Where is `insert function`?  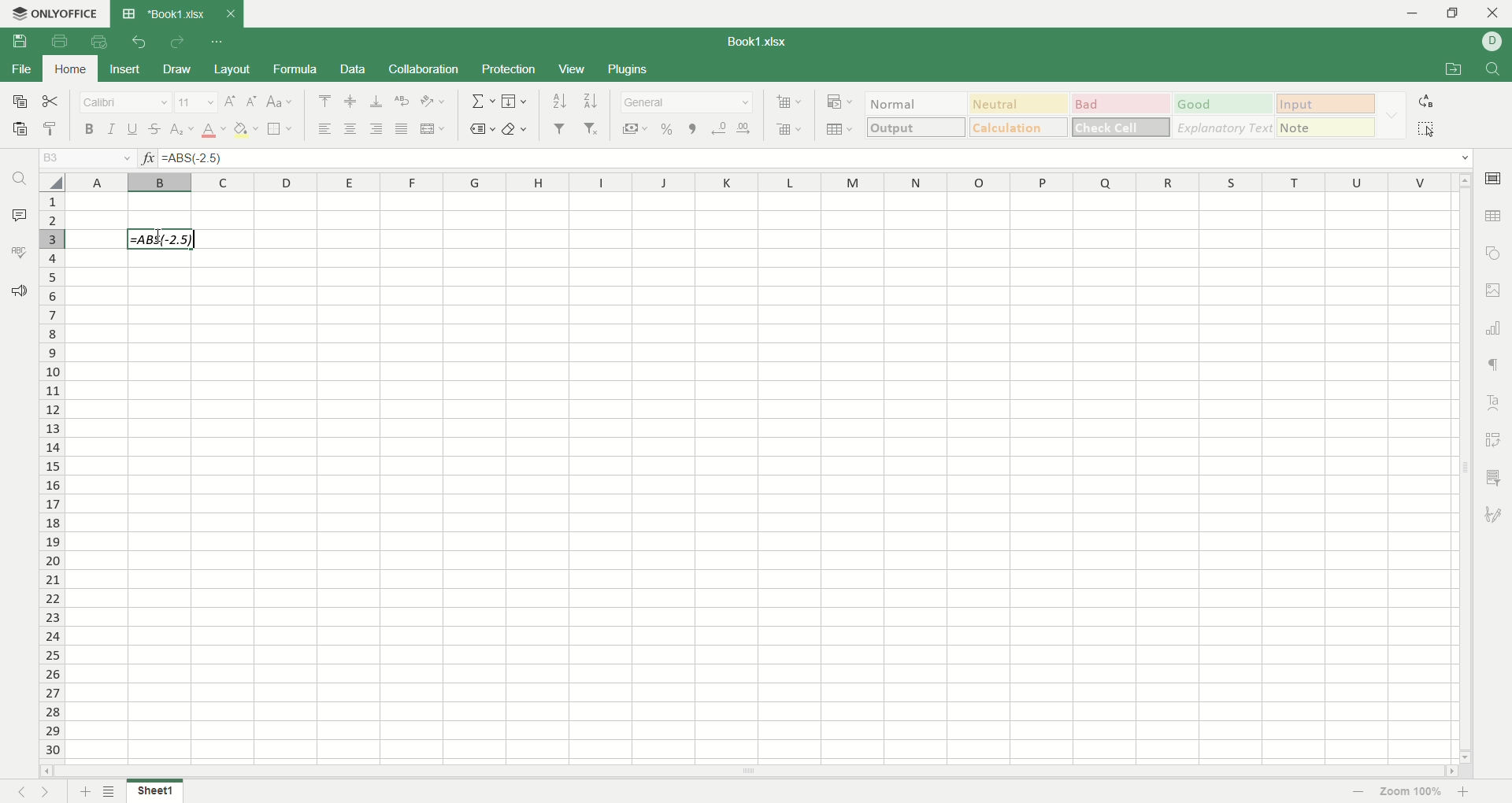 insert function is located at coordinates (149, 158).